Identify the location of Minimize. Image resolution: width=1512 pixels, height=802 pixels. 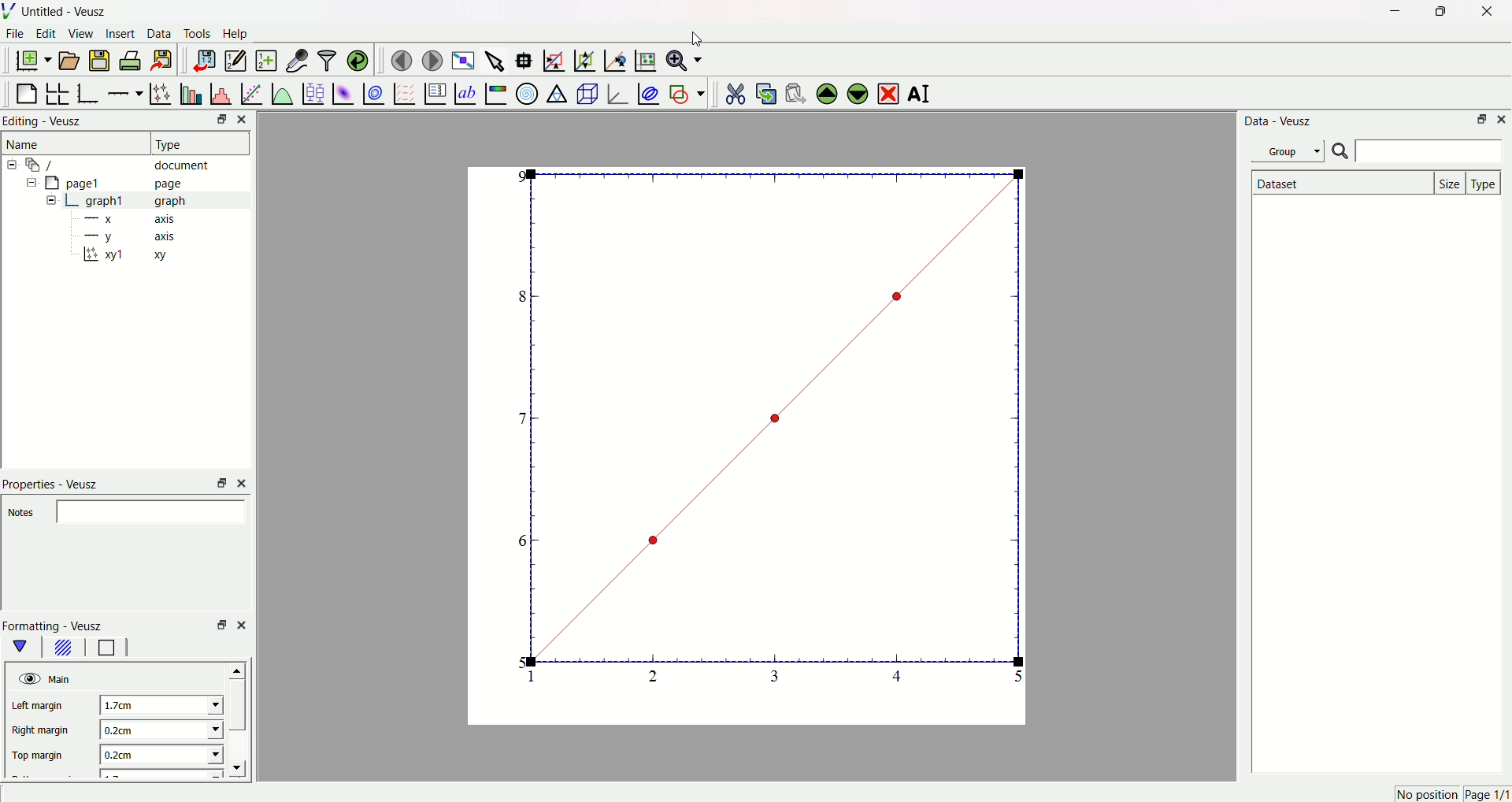
(1391, 12).